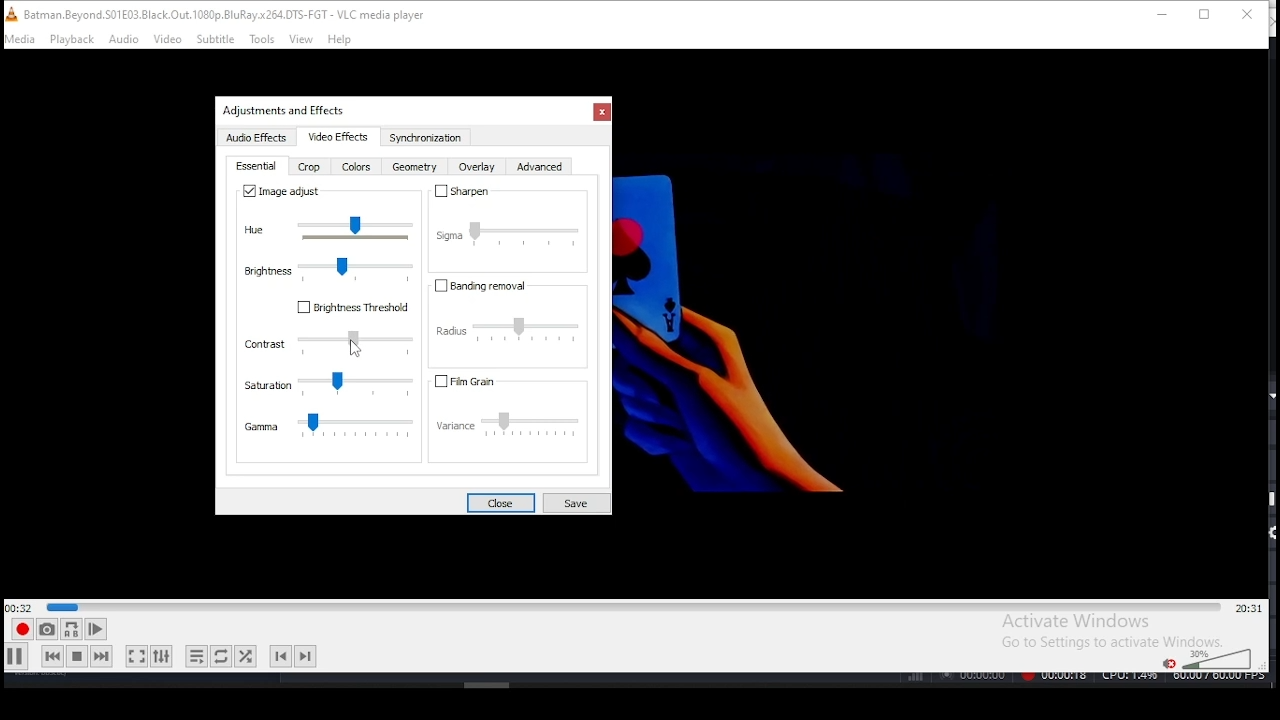 This screenshot has height=720, width=1280. Describe the element at coordinates (72, 40) in the screenshot. I see `playback` at that location.